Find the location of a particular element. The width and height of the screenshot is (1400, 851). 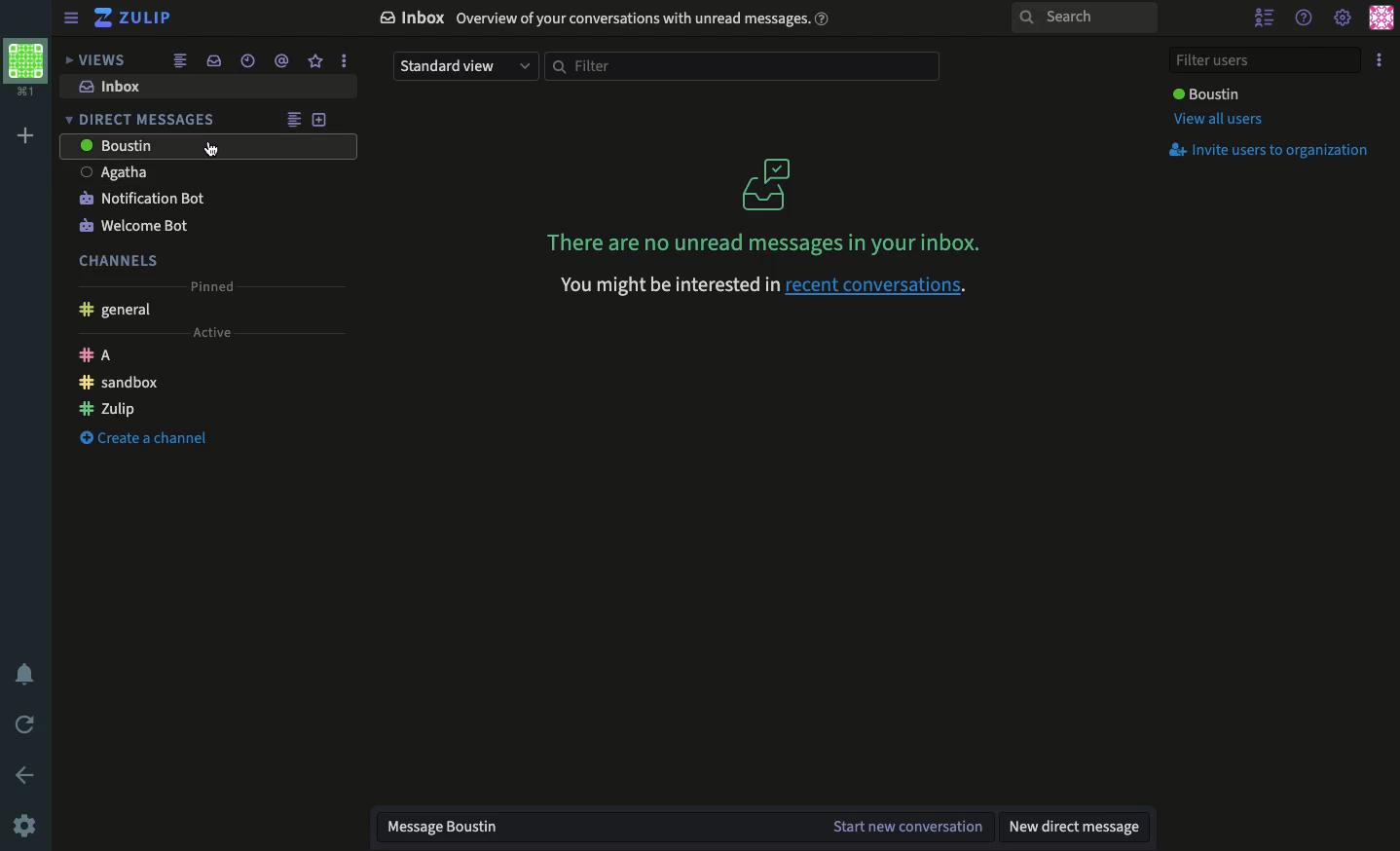

Create channel is located at coordinates (149, 439).